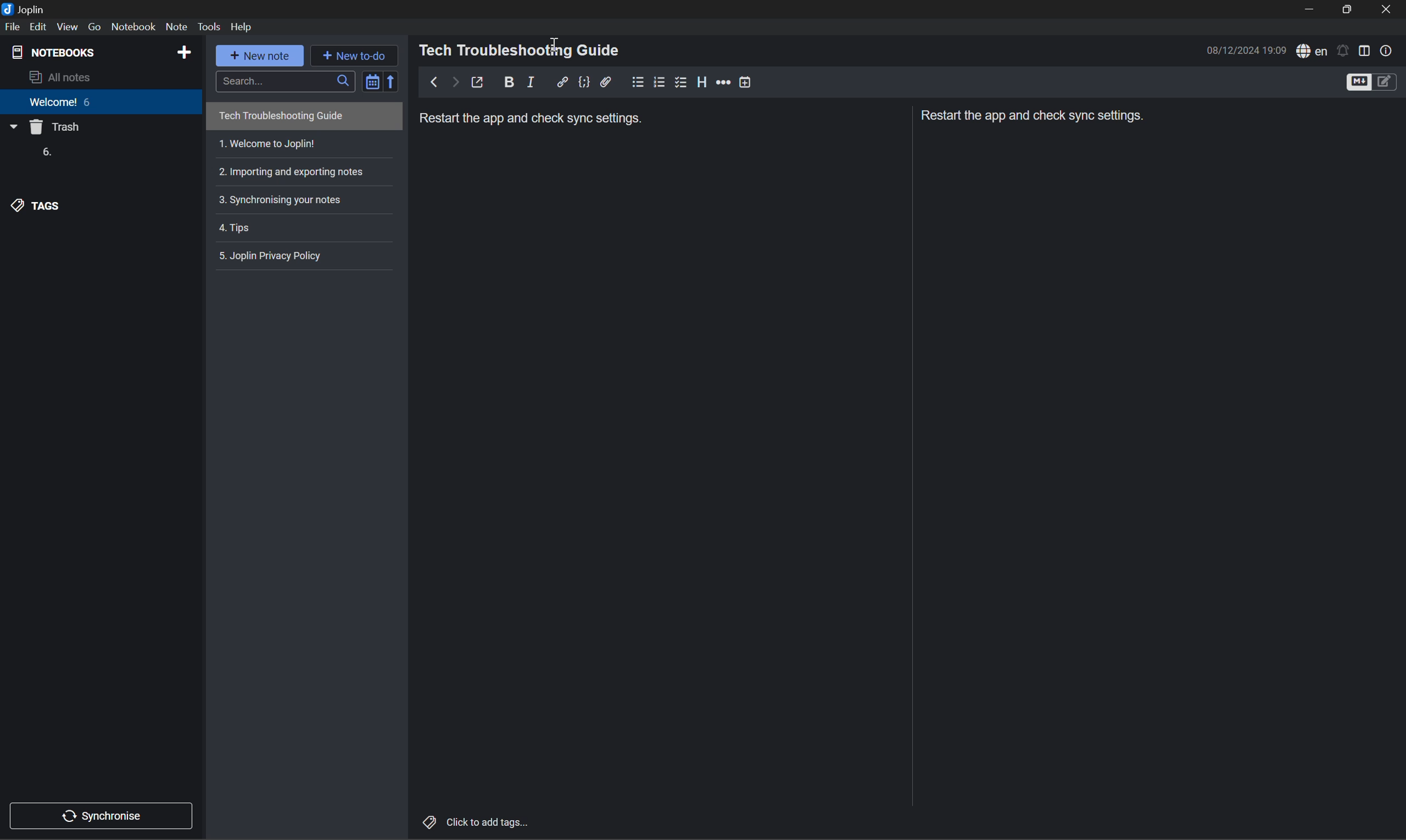 This screenshot has height=840, width=1406. Describe the element at coordinates (296, 171) in the screenshot. I see `Importing and exporting notes` at that location.